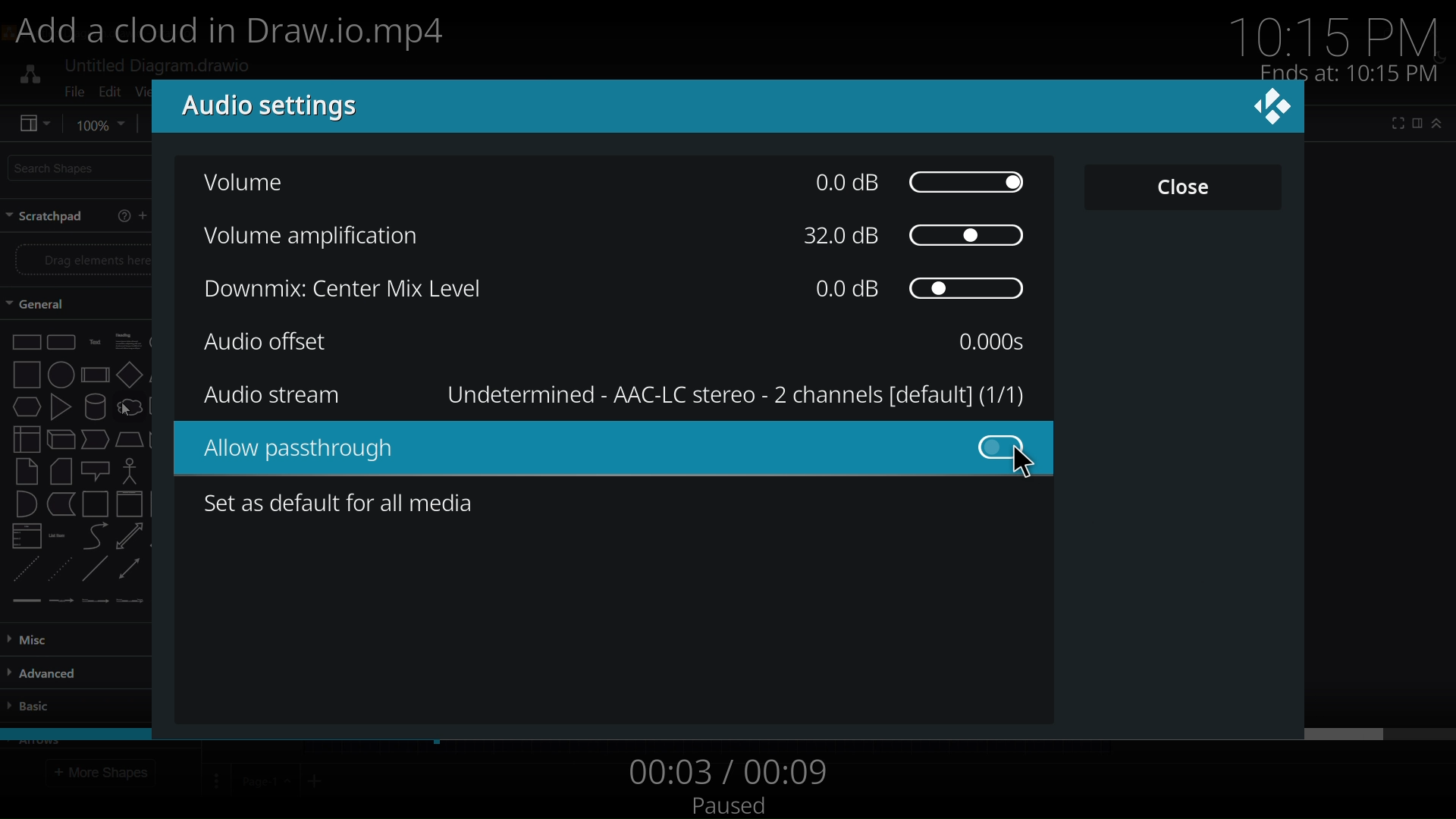 The width and height of the screenshot is (1456, 819). Describe the element at coordinates (923, 290) in the screenshot. I see `0.0 dB` at that location.